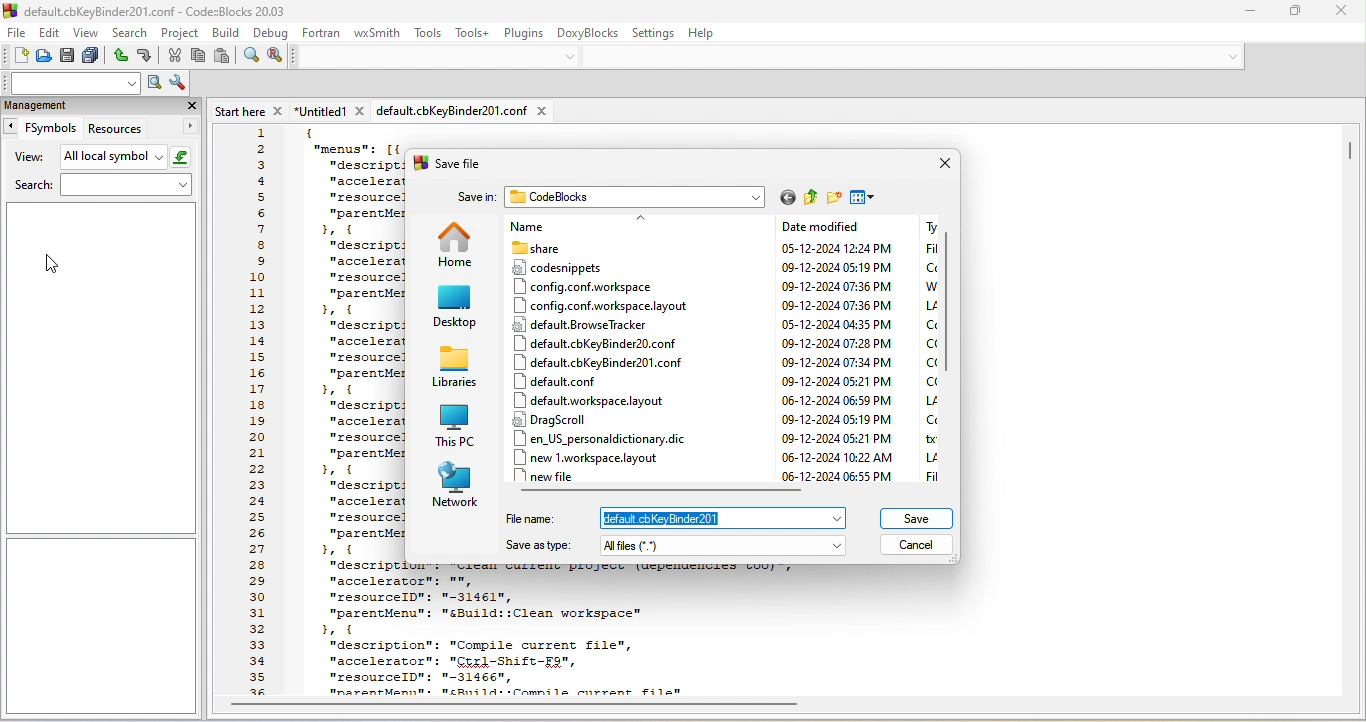 This screenshot has height=722, width=1366. Describe the element at coordinates (599, 456) in the screenshot. I see `new 1 workspace layout` at that location.